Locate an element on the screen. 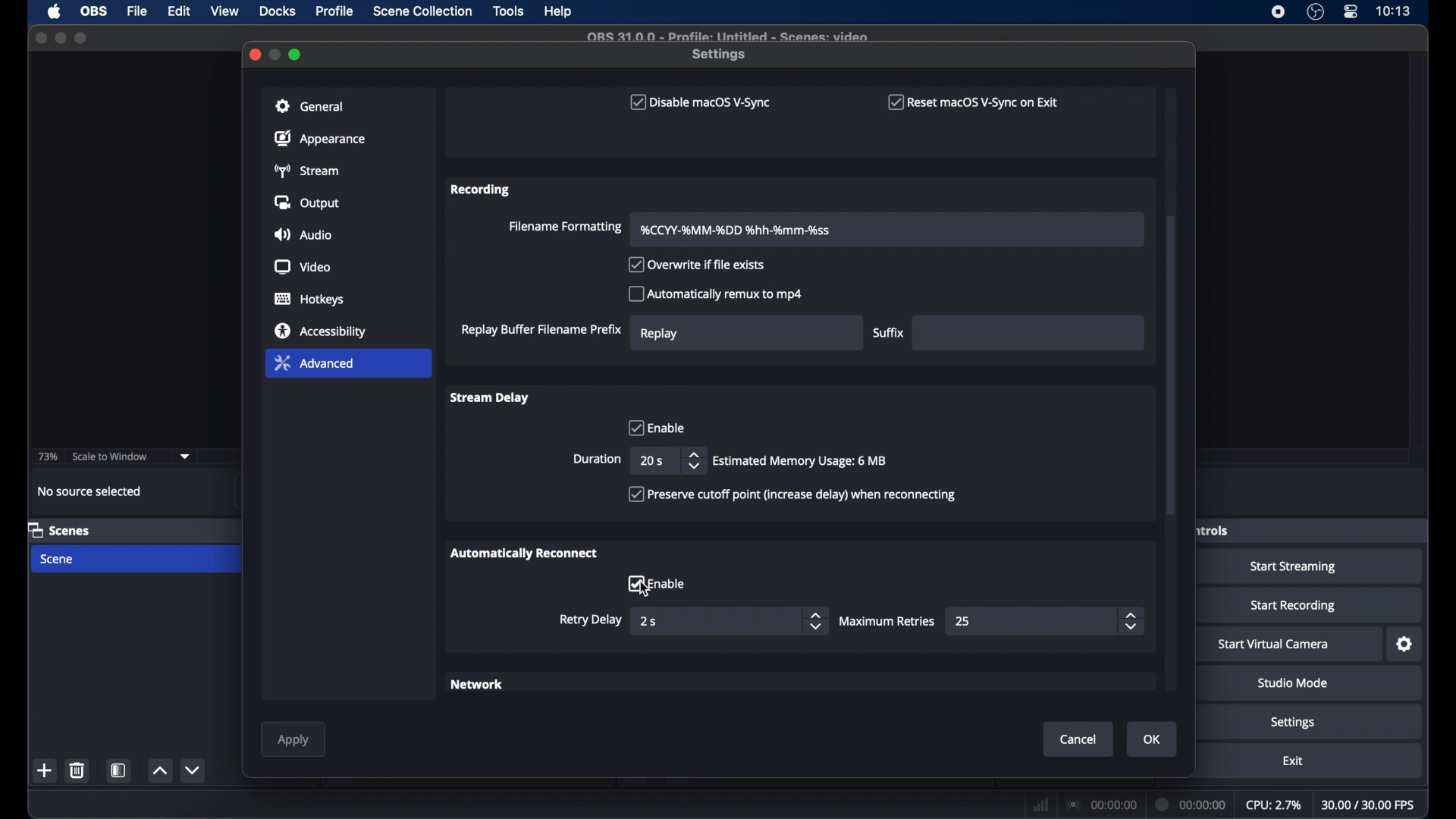 The width and height of the screenshot is (1456, 819). stepper butons is located at coordinates (1131, 621).